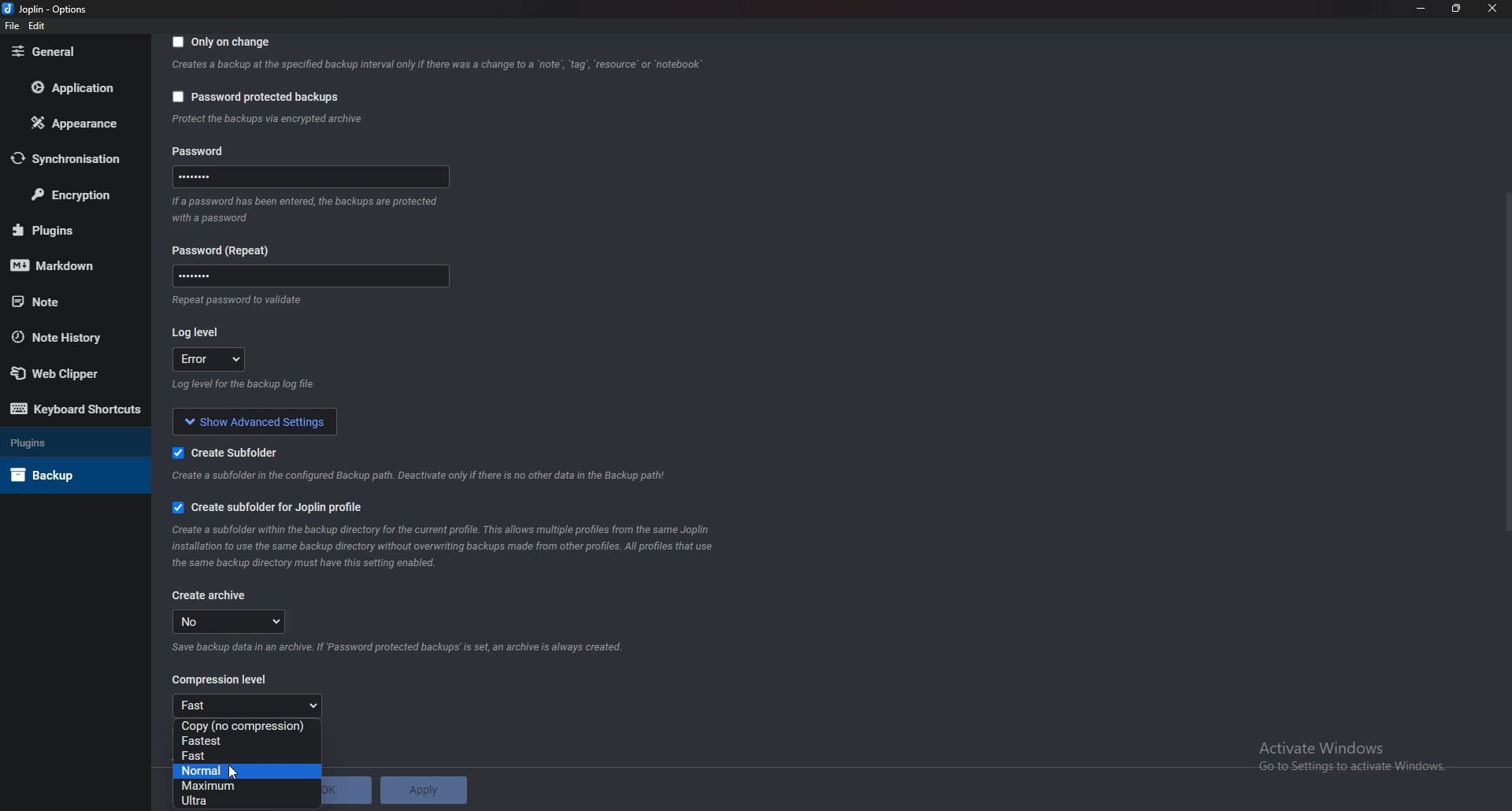 This screenshot has width=1512, height=811. I want to click on Maximum, so click(245, 785).